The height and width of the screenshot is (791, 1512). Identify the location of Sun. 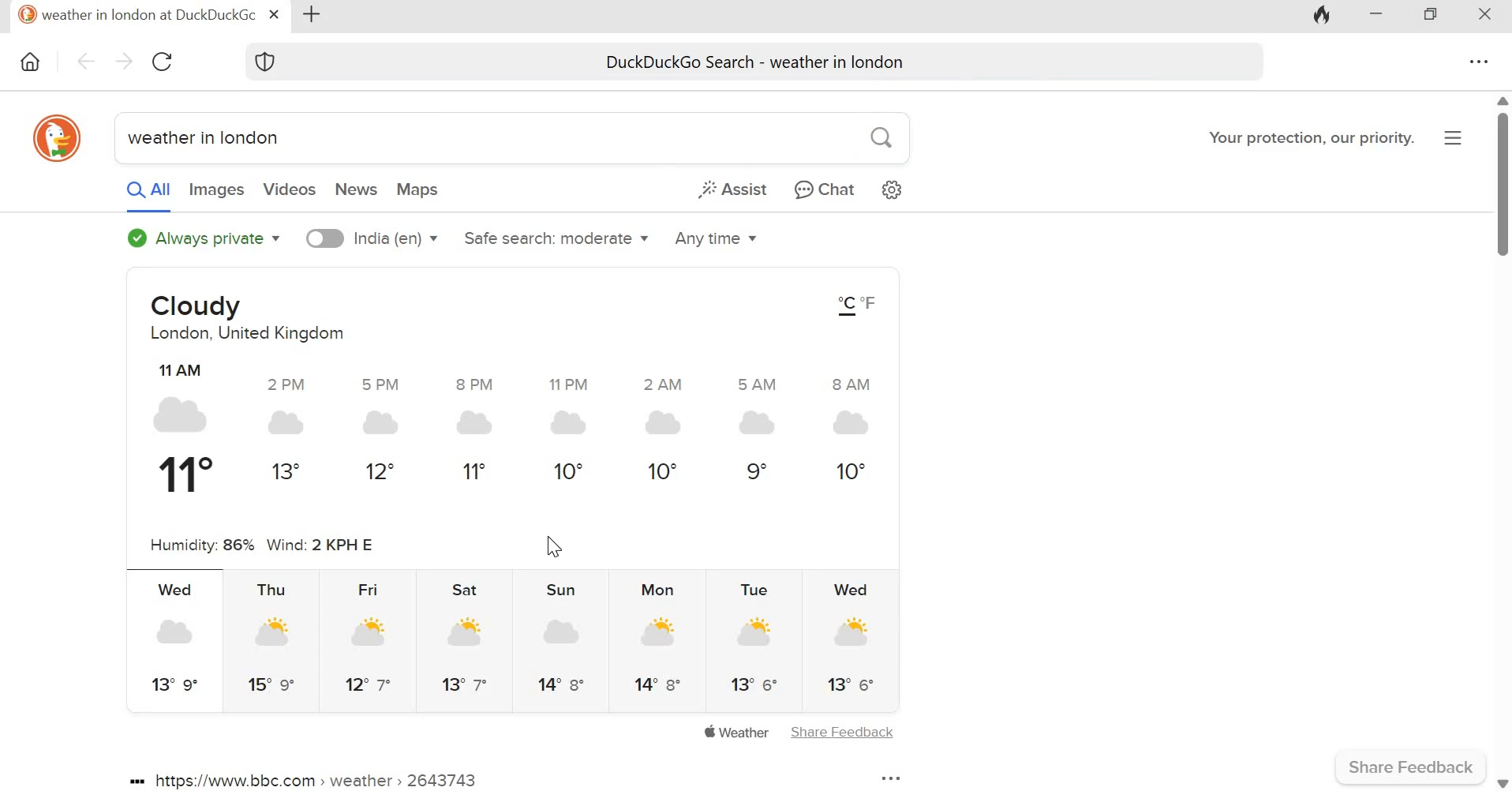
(561, 590).